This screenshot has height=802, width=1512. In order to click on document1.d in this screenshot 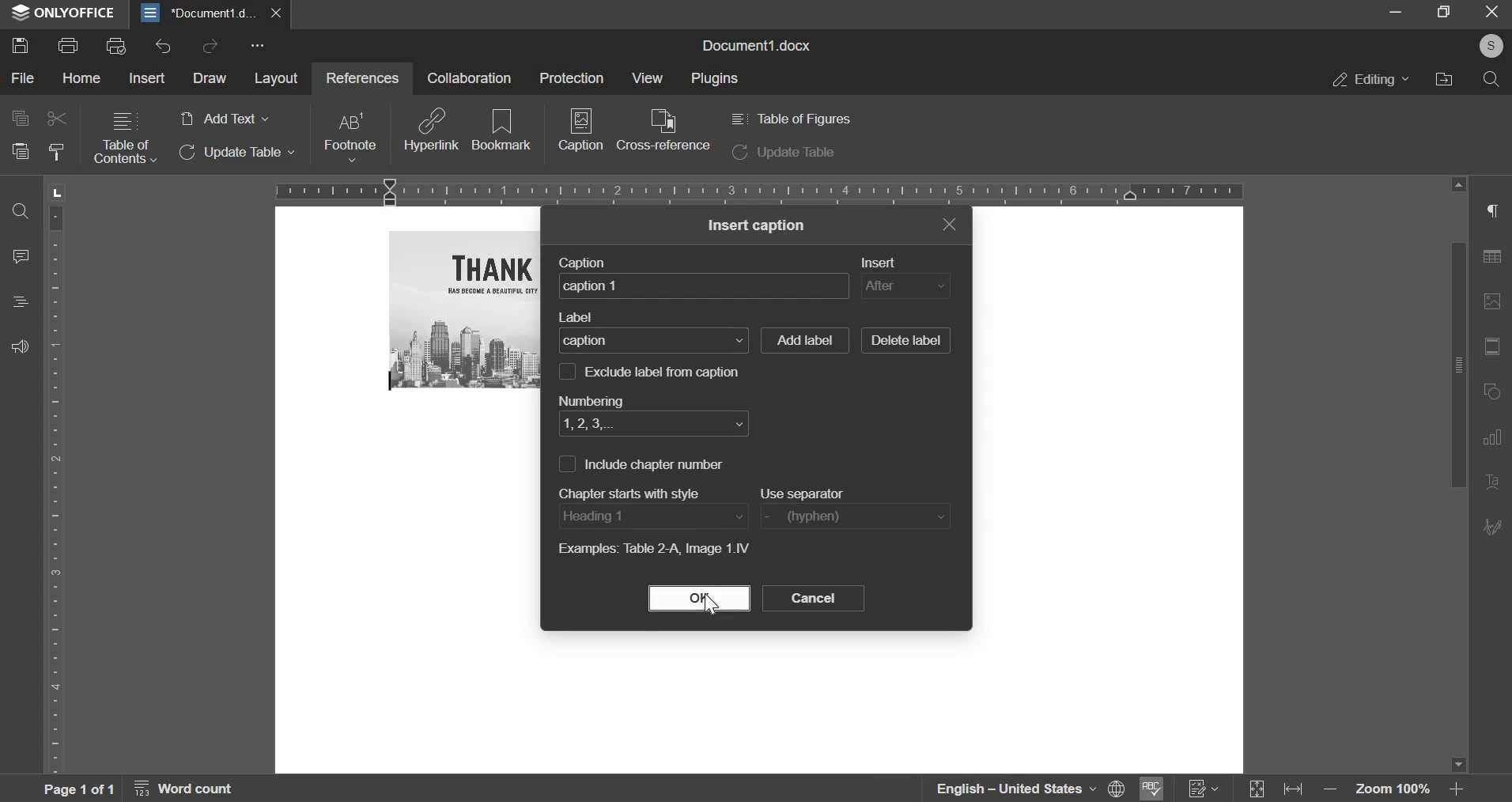, I will do `click(201, 13)`.